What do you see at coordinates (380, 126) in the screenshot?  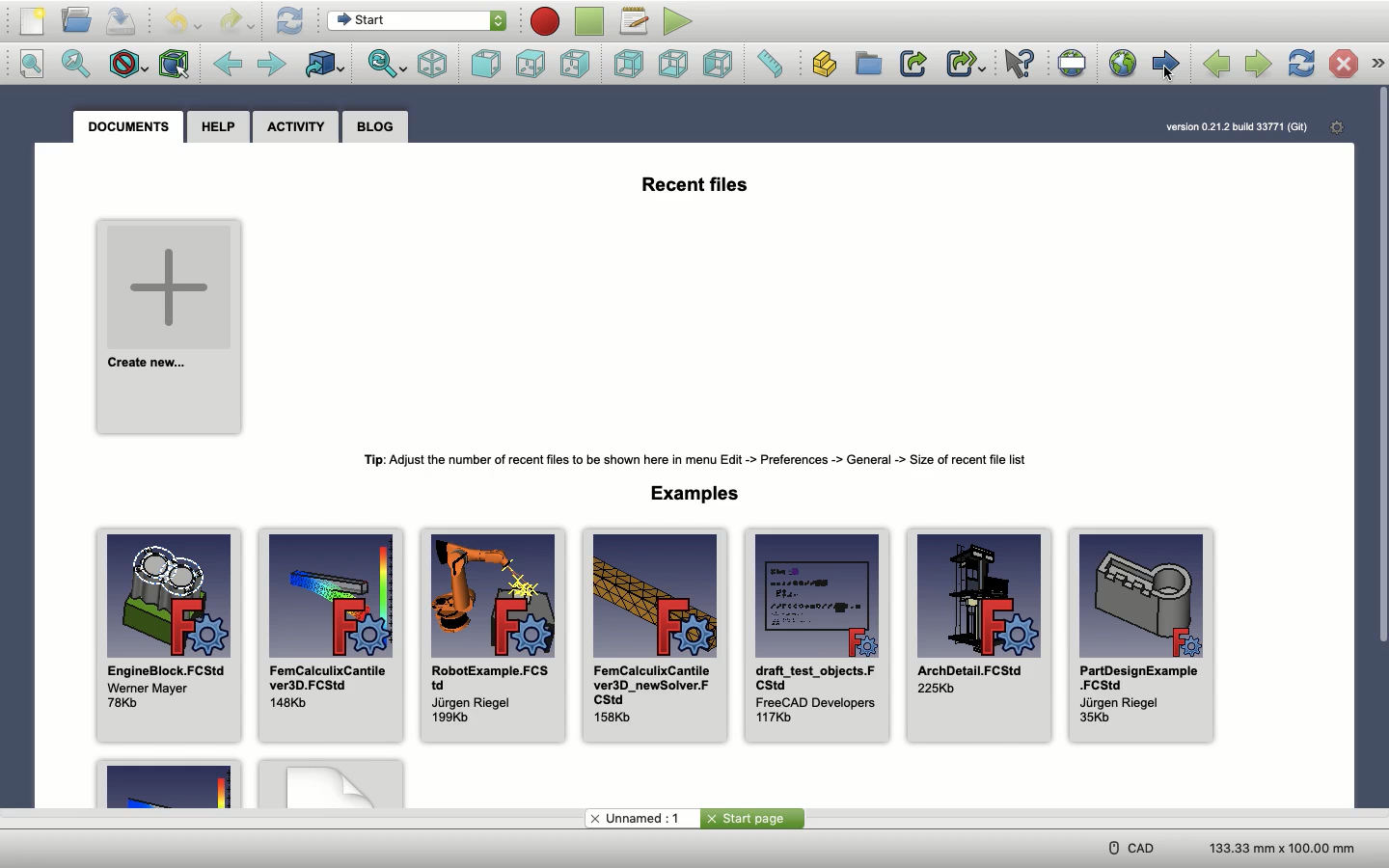 I see `Blog` at bounding box center [380, 126].